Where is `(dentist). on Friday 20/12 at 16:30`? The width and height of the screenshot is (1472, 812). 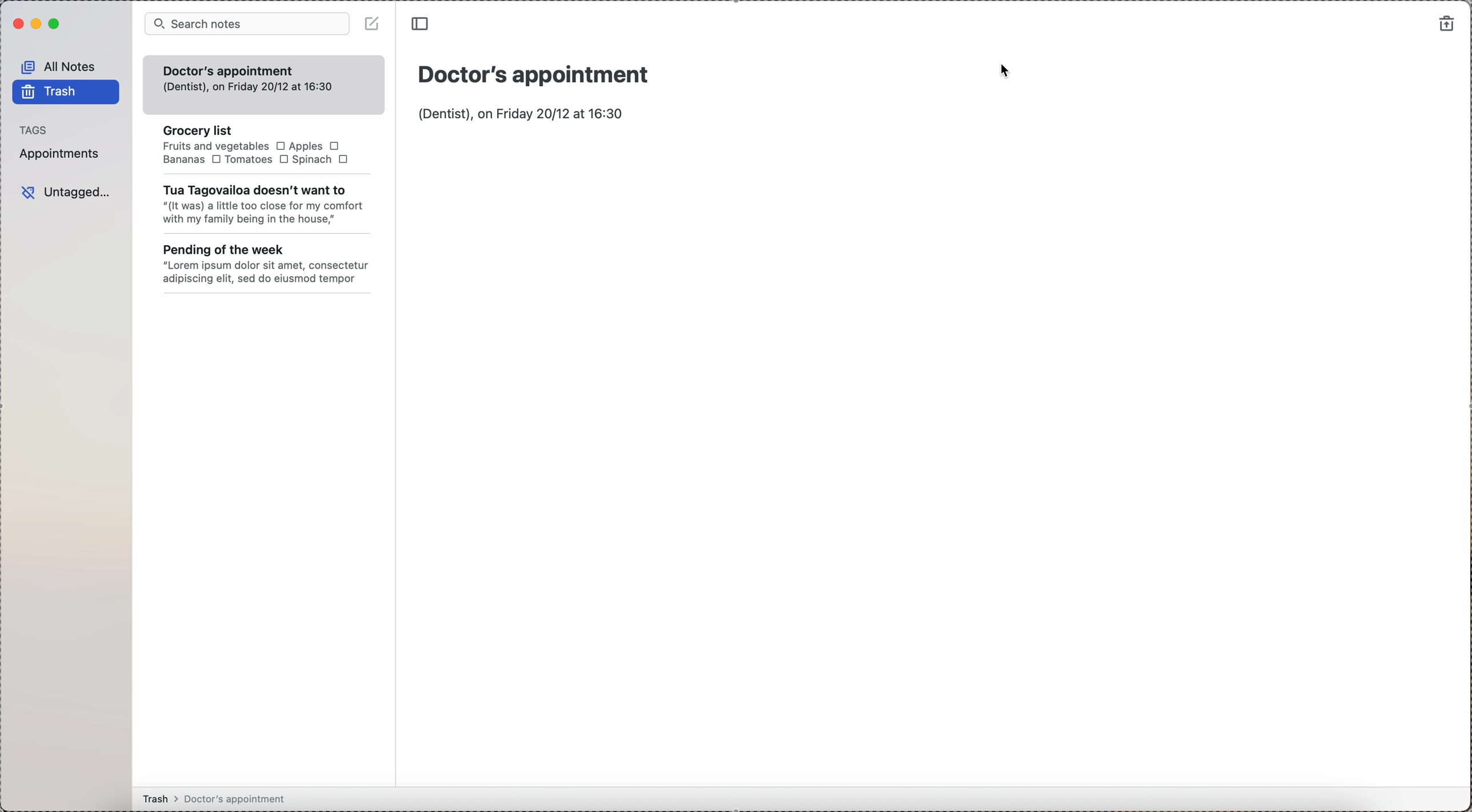
(dentist). on Friday 20/12 at 16:30 is located at coordinates (249, 88).